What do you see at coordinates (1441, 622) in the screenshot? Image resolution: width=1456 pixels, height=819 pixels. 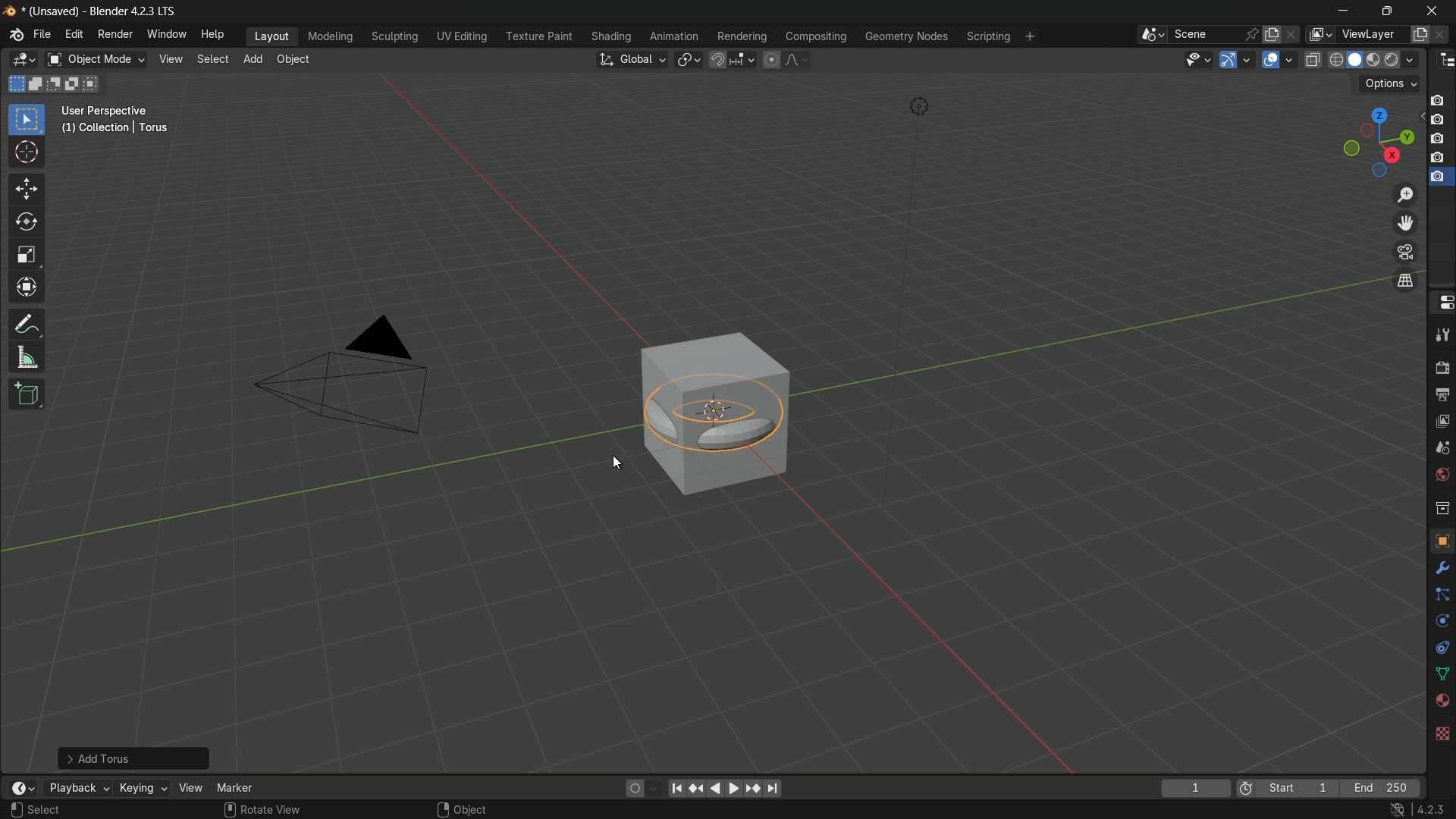 I see `physics` at bounding box center [1441, 622].